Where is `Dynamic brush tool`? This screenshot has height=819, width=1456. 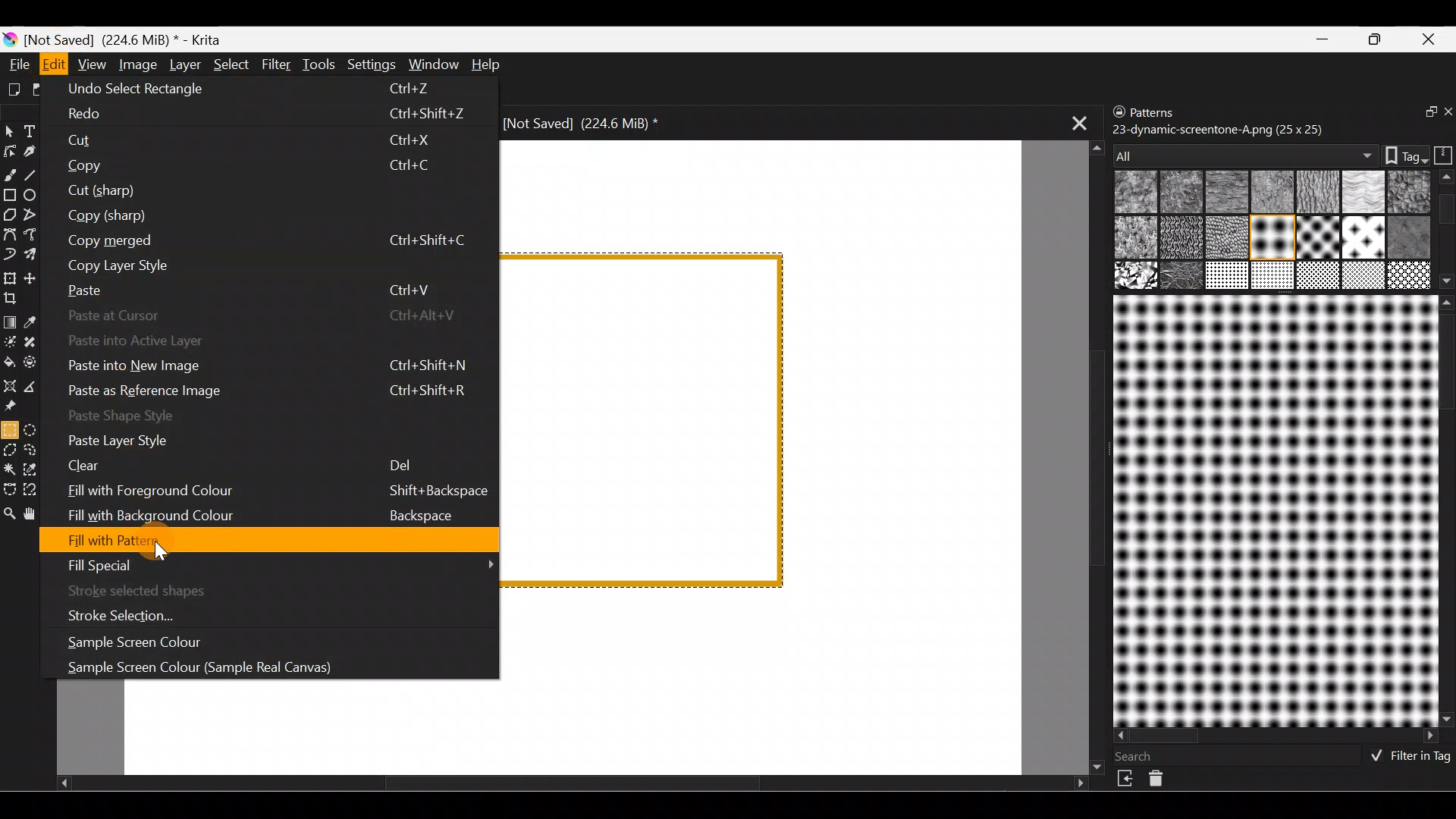 Dynamic brush tool is located at coordinates (10, 255).